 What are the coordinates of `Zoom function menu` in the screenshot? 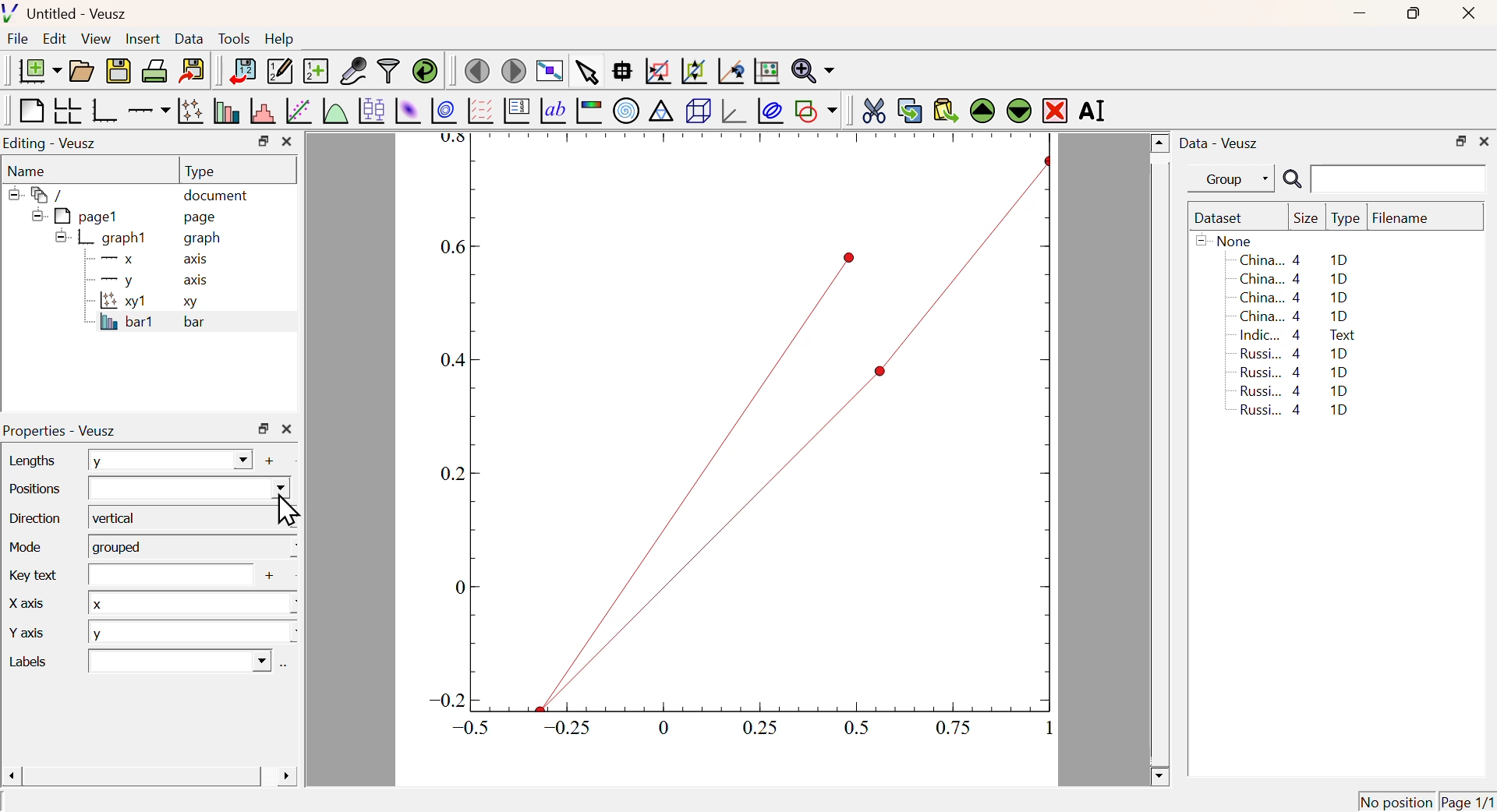 It's located at (813, 69).